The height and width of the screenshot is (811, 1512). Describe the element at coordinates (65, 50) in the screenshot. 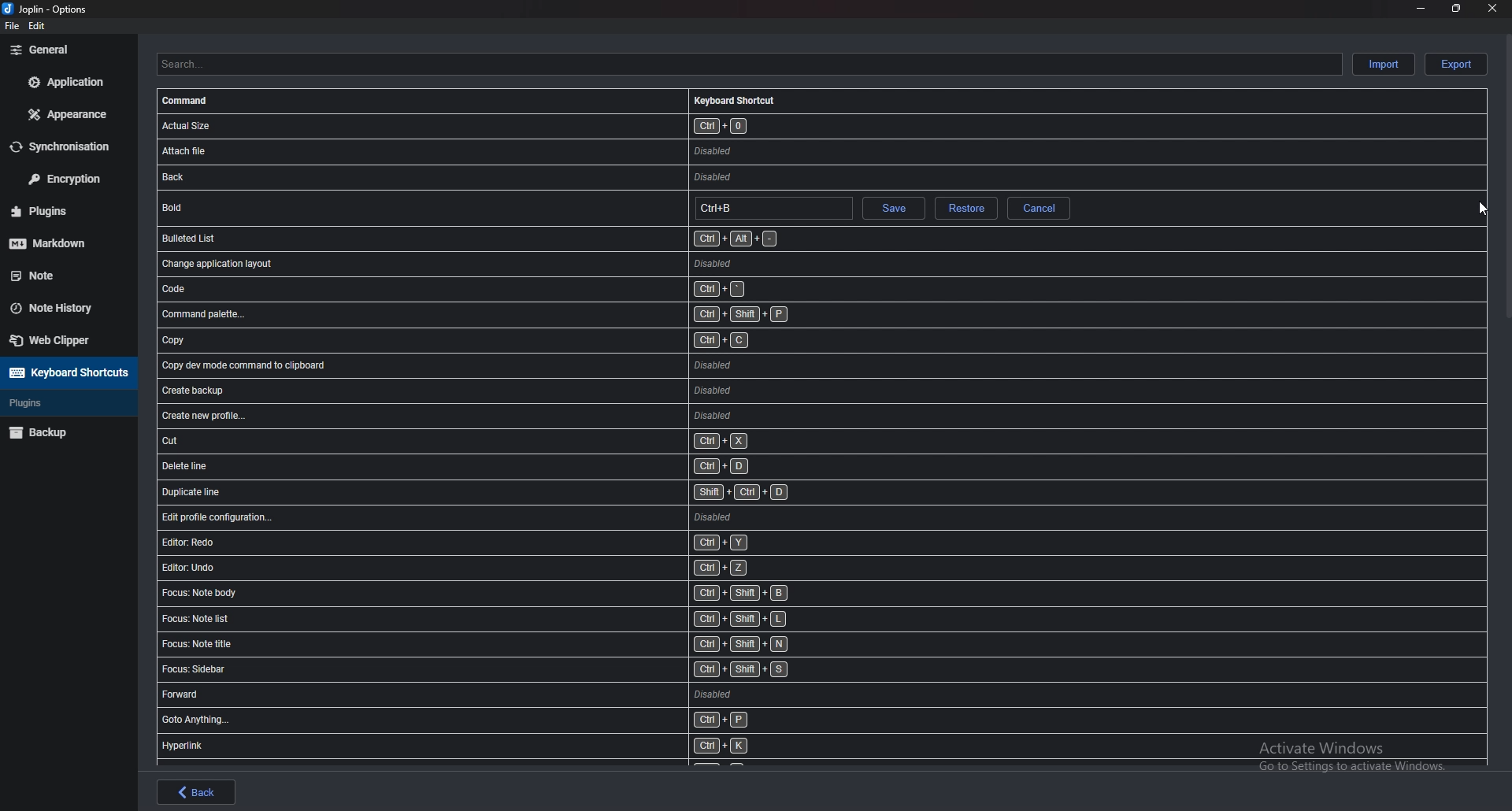

I see `general` at that location.